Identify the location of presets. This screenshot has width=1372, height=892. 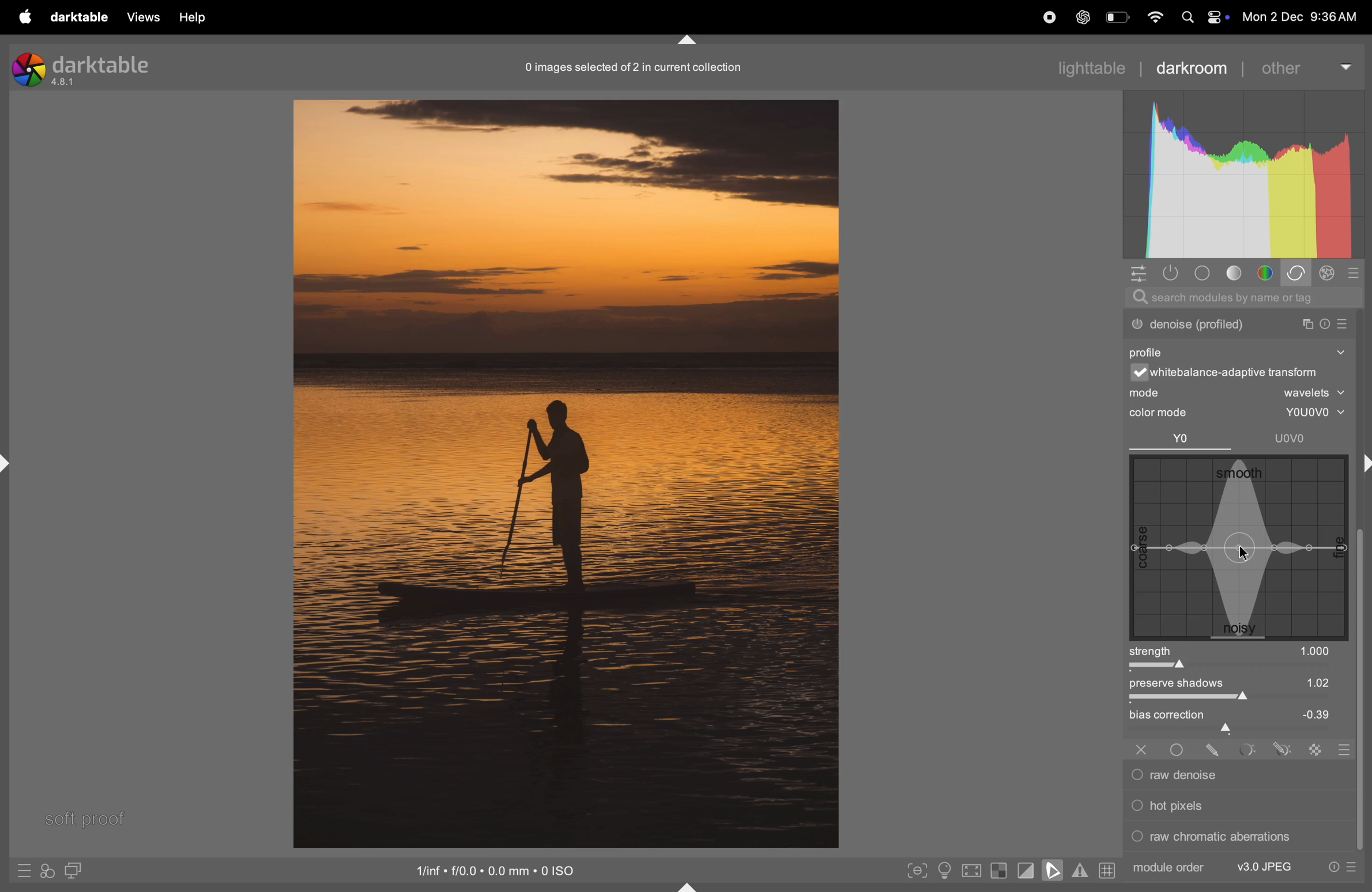
(1342, 868).